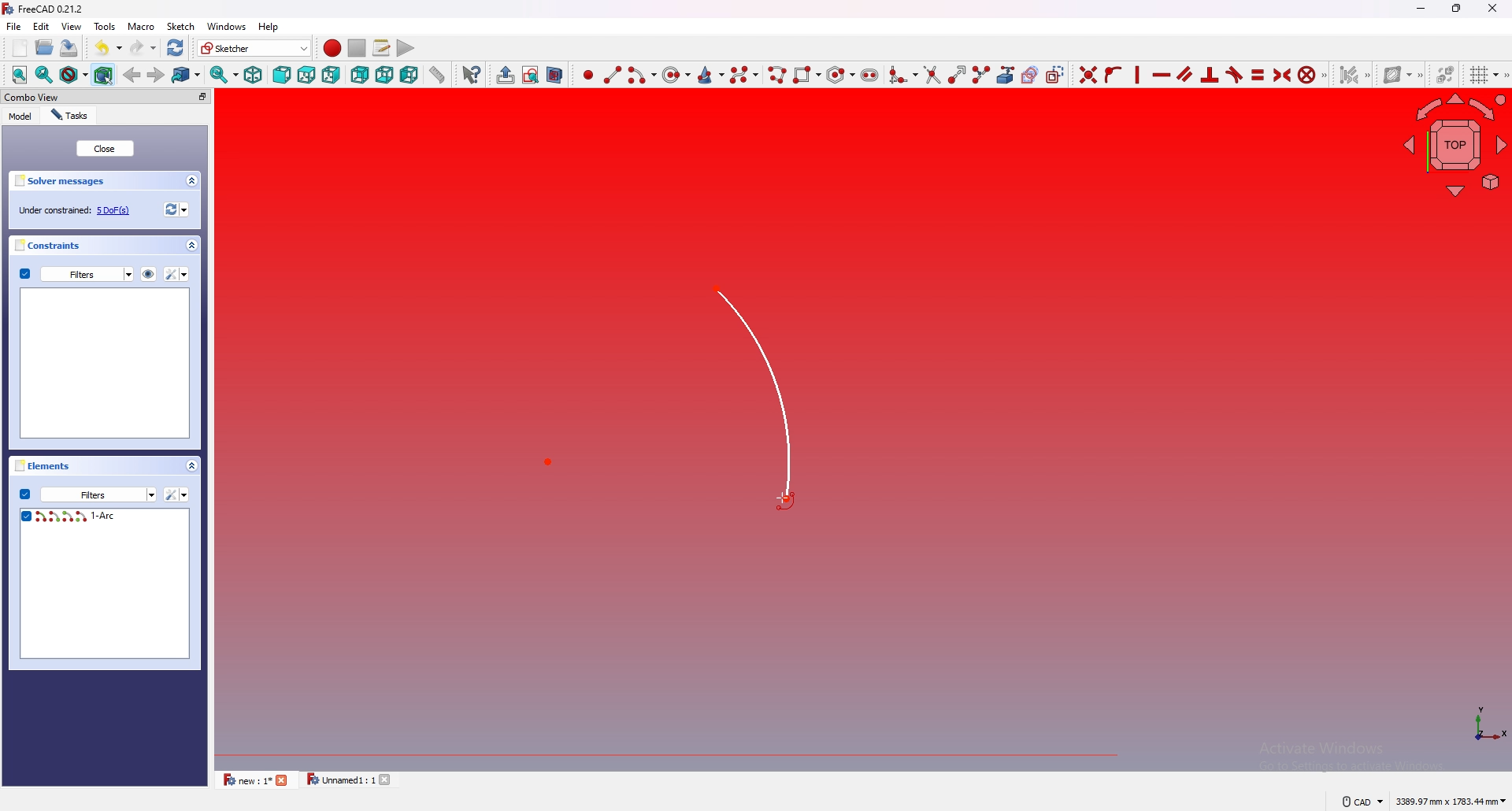  I want to click on CAD, so click(1361, 801).